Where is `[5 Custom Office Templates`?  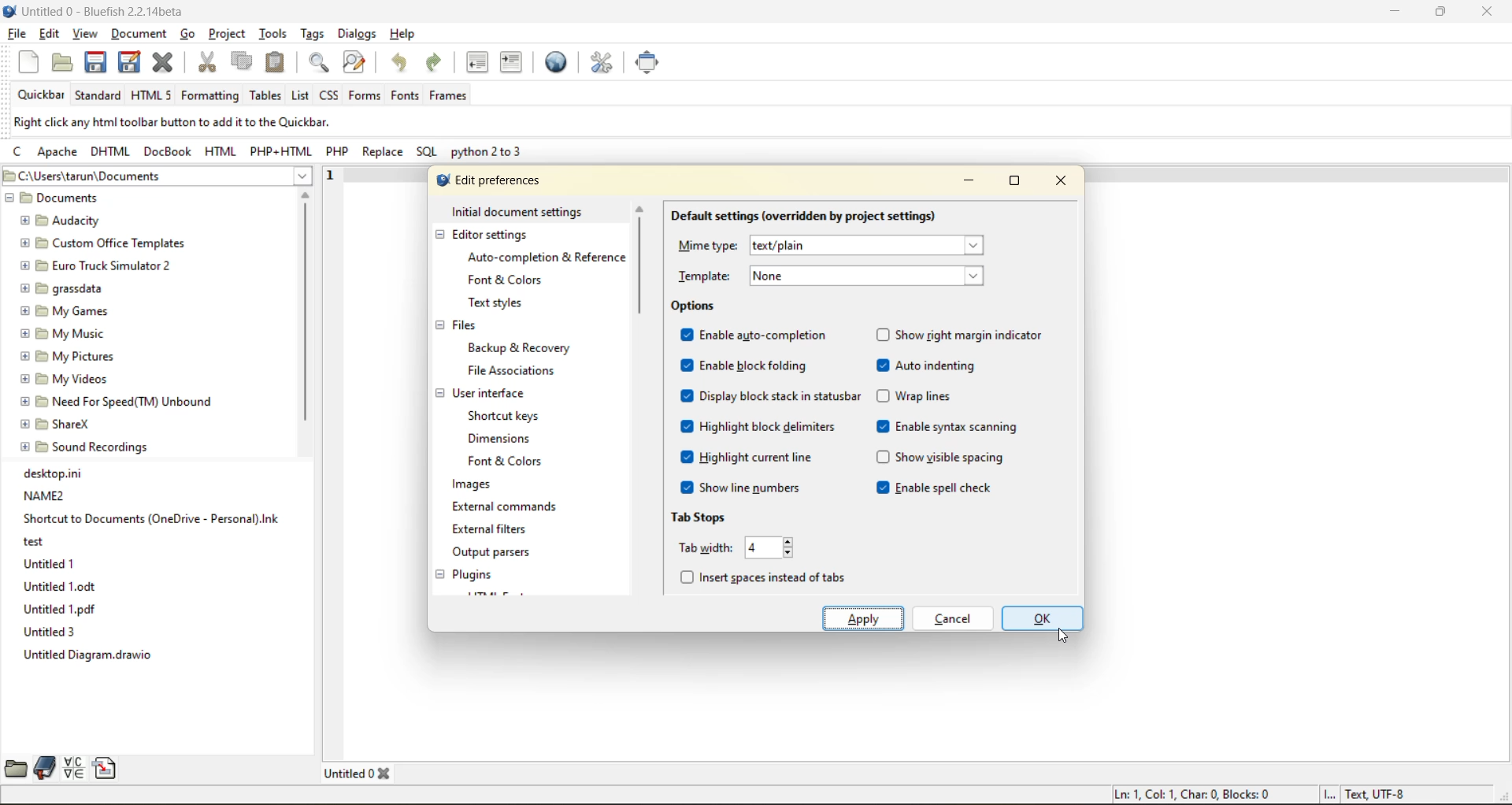 [5 Custom Office Templates is located at coordinates (100, 242).